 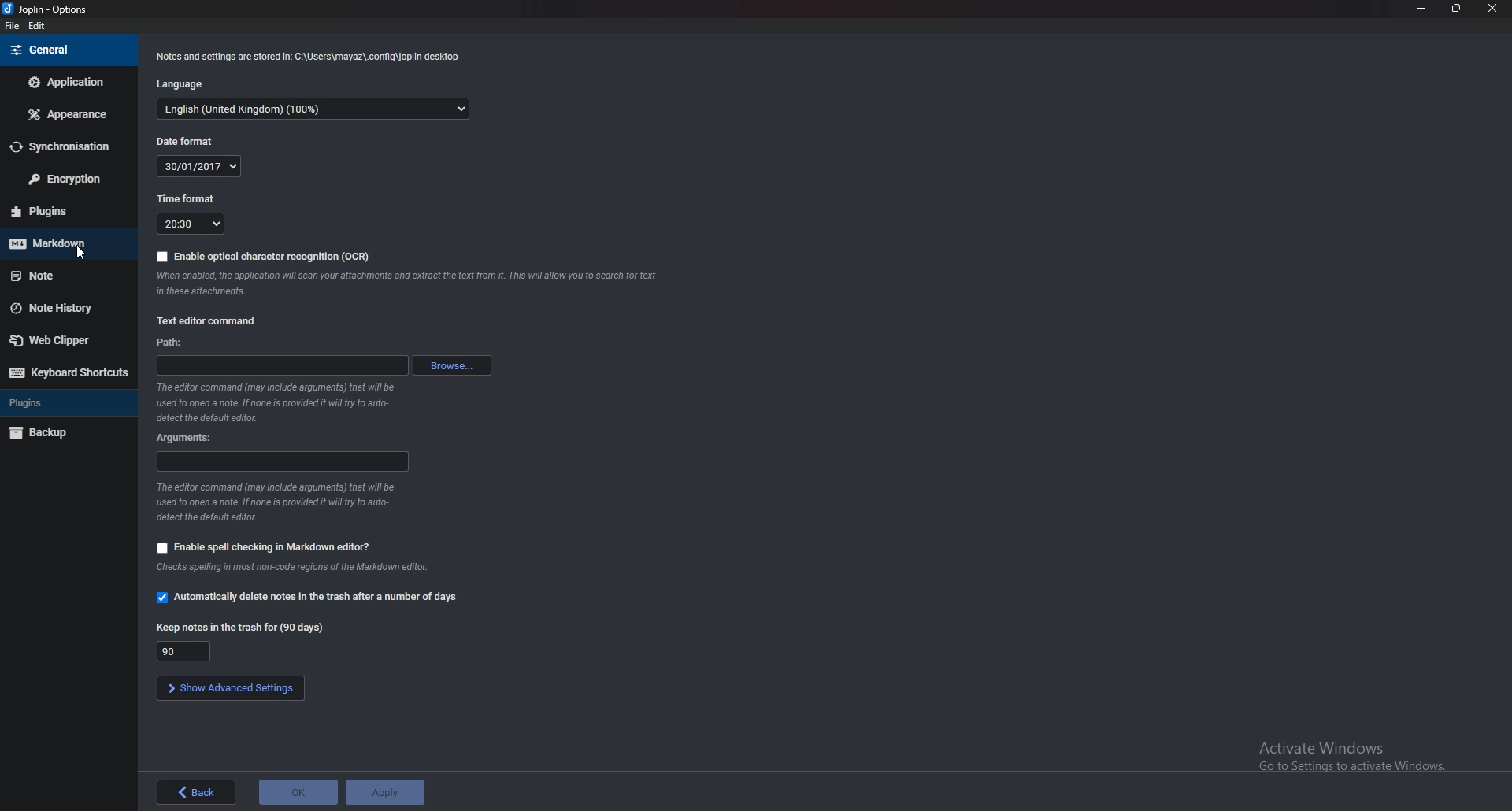 What do you see at coordinates (313, 55) in the screenshot?
I see `Info` at bounding box center [313, 55].